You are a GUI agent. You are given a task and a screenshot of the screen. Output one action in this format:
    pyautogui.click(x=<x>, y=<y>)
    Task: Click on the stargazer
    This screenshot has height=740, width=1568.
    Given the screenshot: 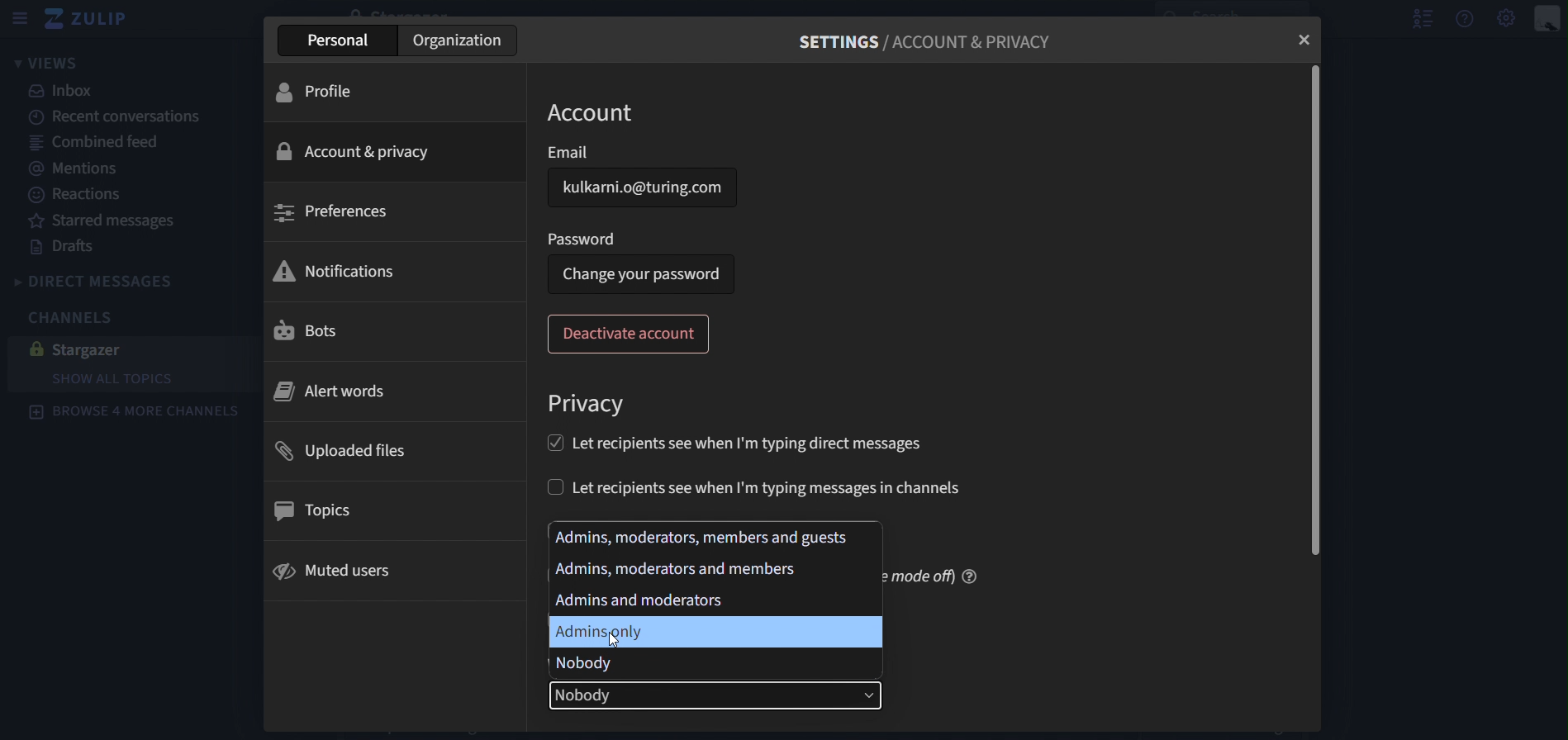 What is the action you would take?
    pyautogui.click(x=96, y=349)
    